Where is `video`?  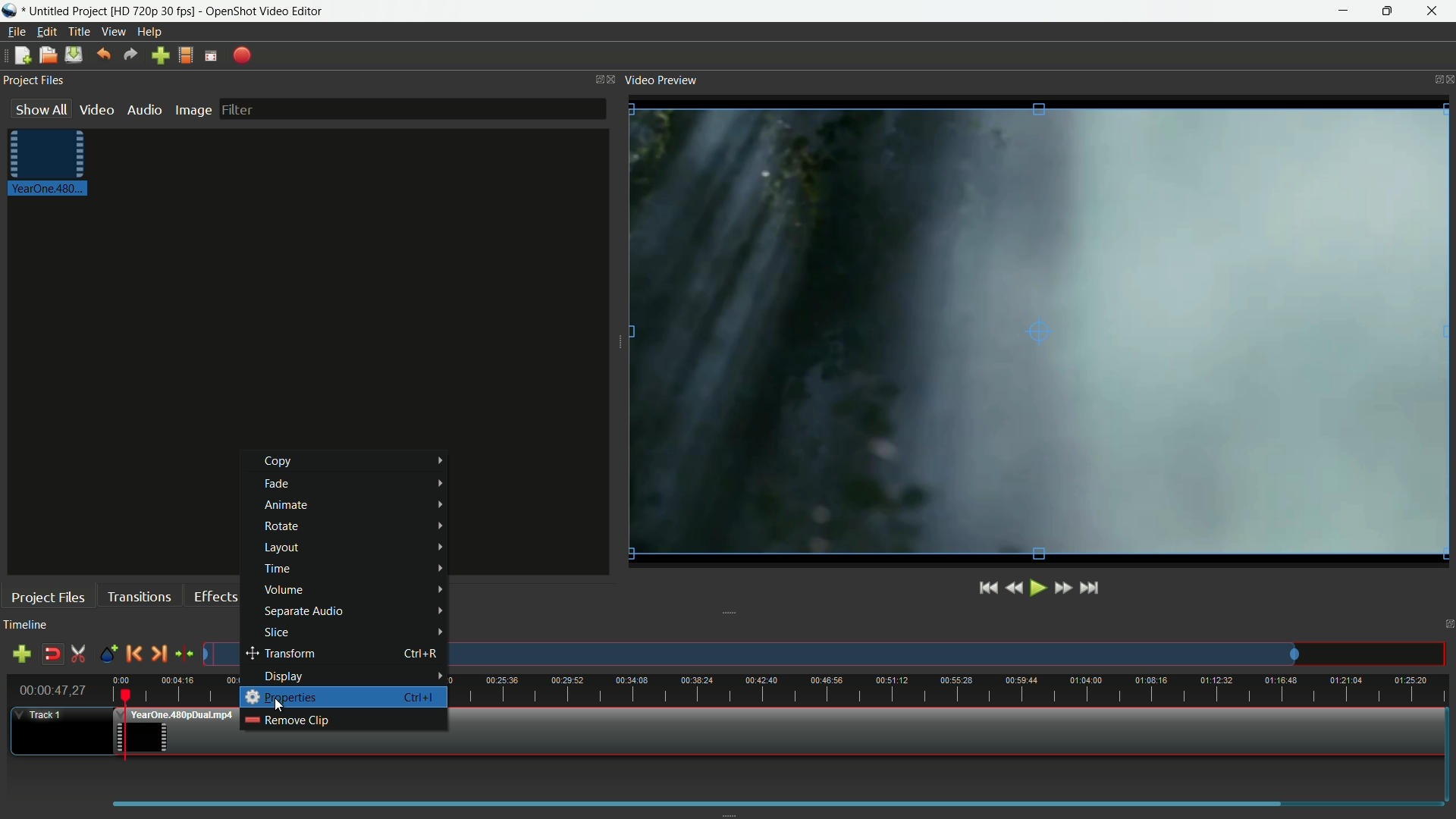
video is located at coordinates (97, 109).